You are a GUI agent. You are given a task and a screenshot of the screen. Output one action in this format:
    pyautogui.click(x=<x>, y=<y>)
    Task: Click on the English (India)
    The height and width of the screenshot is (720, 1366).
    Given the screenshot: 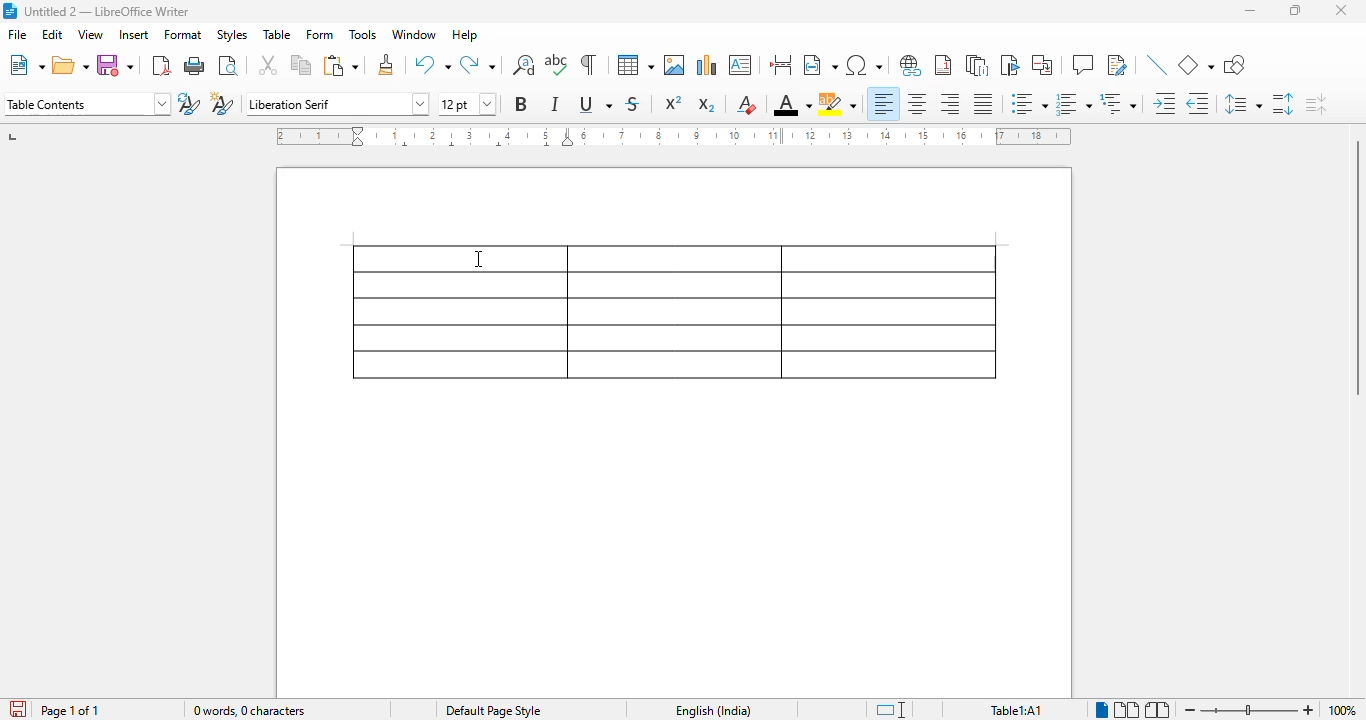 What is the action you would take?
    pyautogui.click(x=713, y=710)
    